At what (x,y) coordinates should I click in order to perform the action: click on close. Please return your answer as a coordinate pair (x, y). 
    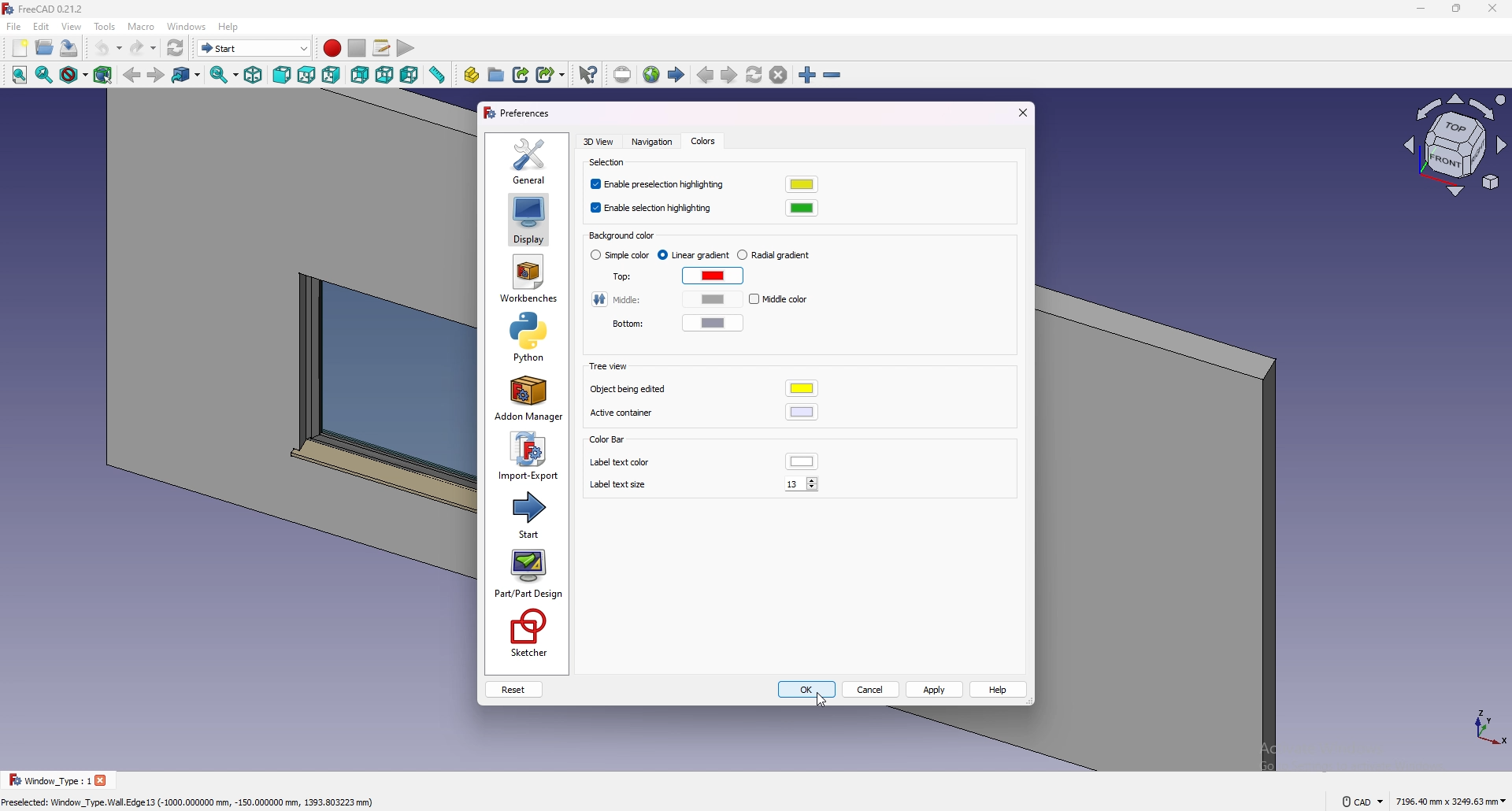
    Looking at the image, I should click on (1492, 9).